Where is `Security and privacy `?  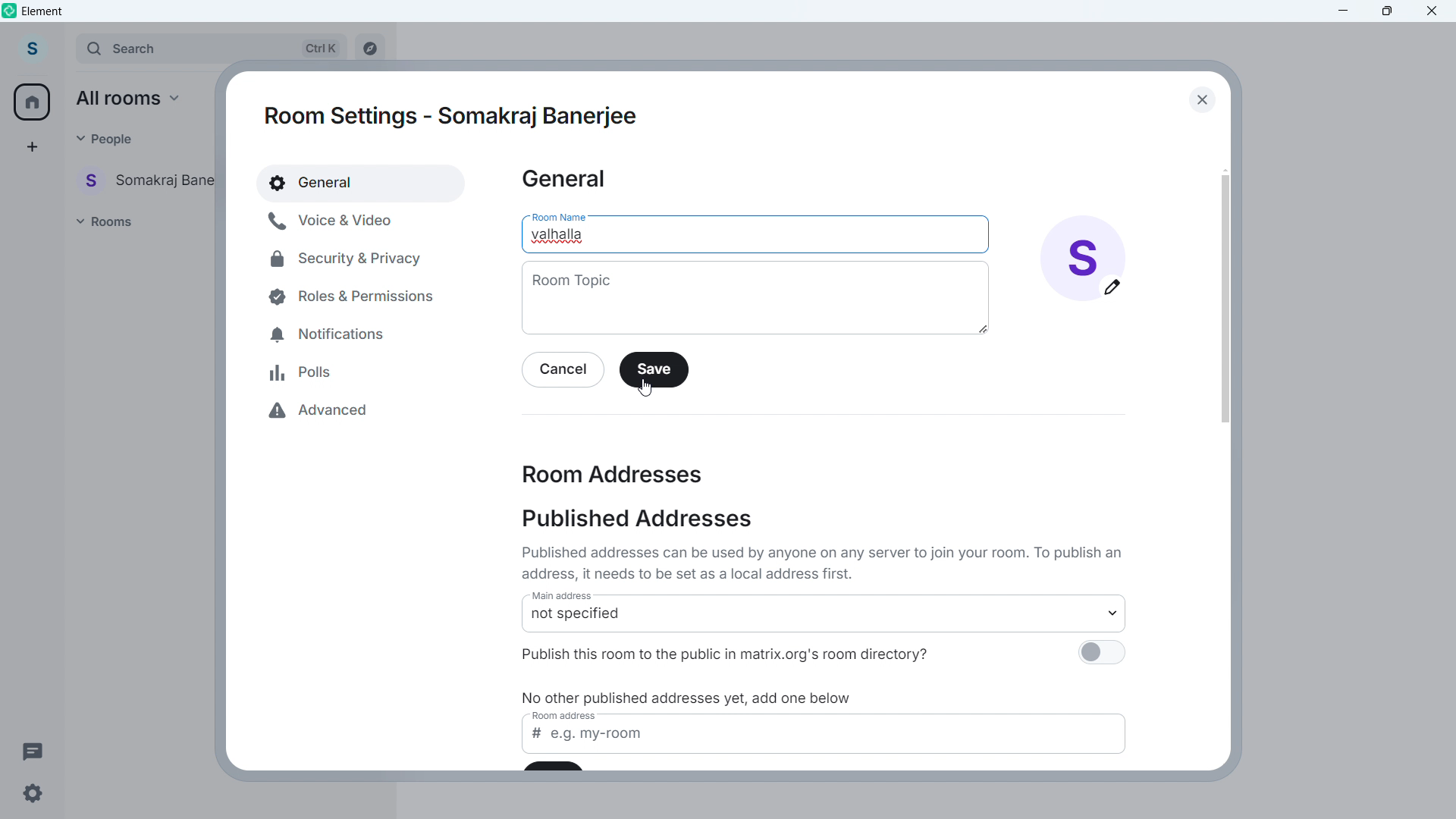 Security and privacy  is located at coordinates (348, 258).